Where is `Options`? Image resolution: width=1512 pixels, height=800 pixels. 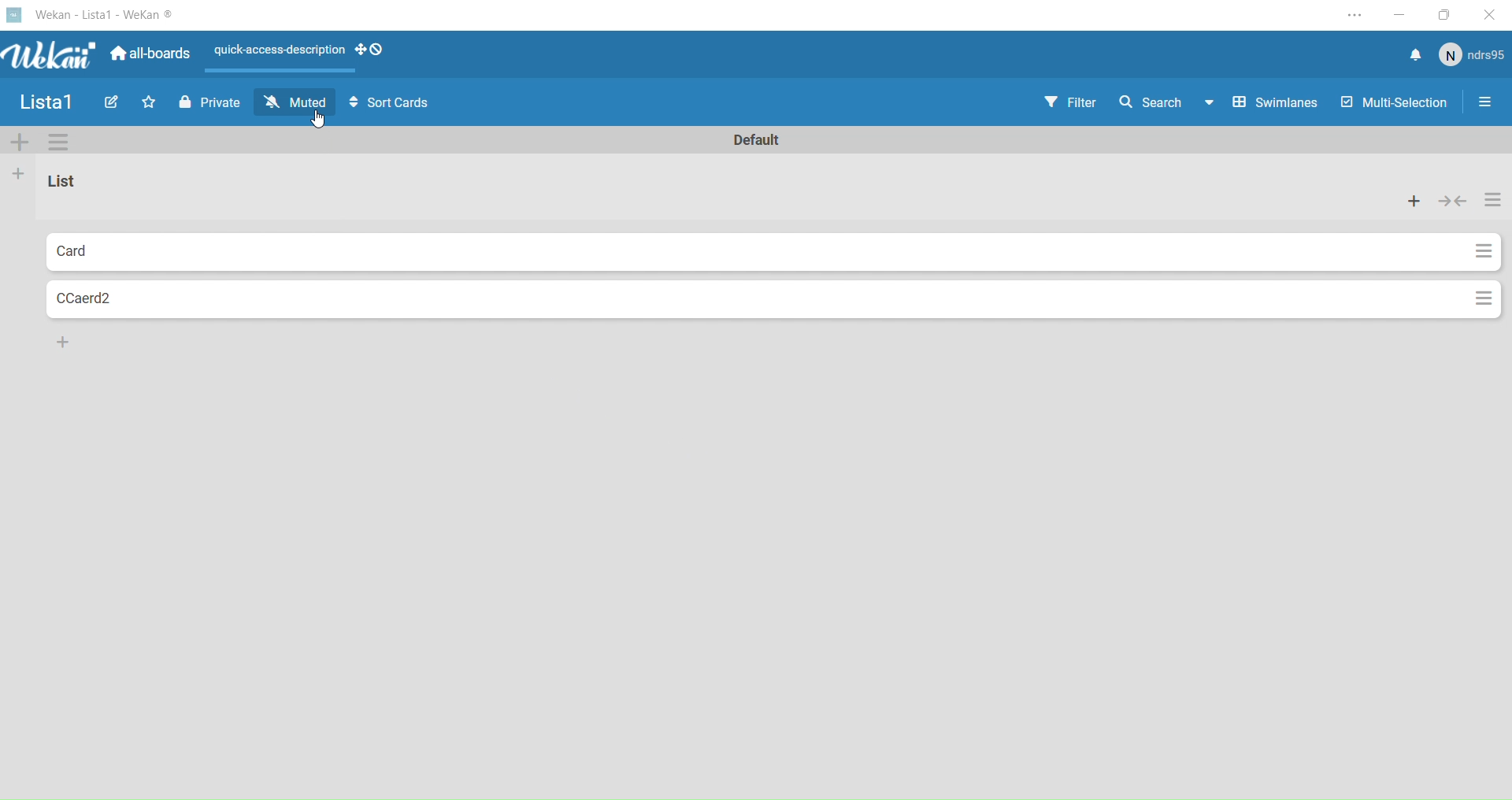
Options is located at coordinates (1495, 201).